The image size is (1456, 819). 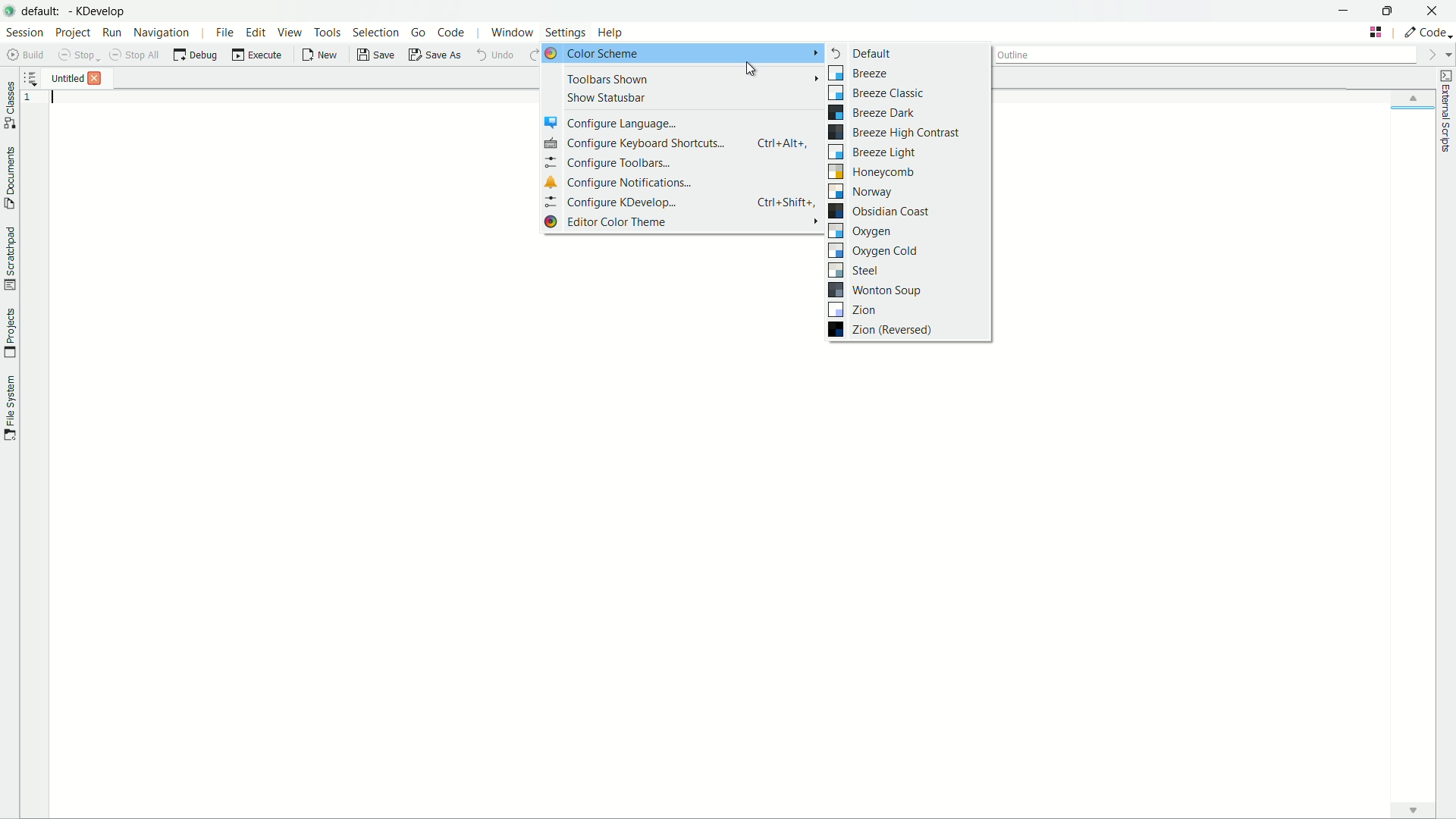 What do you see at coordinates (676, 143) in the screenshot?
I see `configure keyboard shortcuts` at bounding box center [676, 143].